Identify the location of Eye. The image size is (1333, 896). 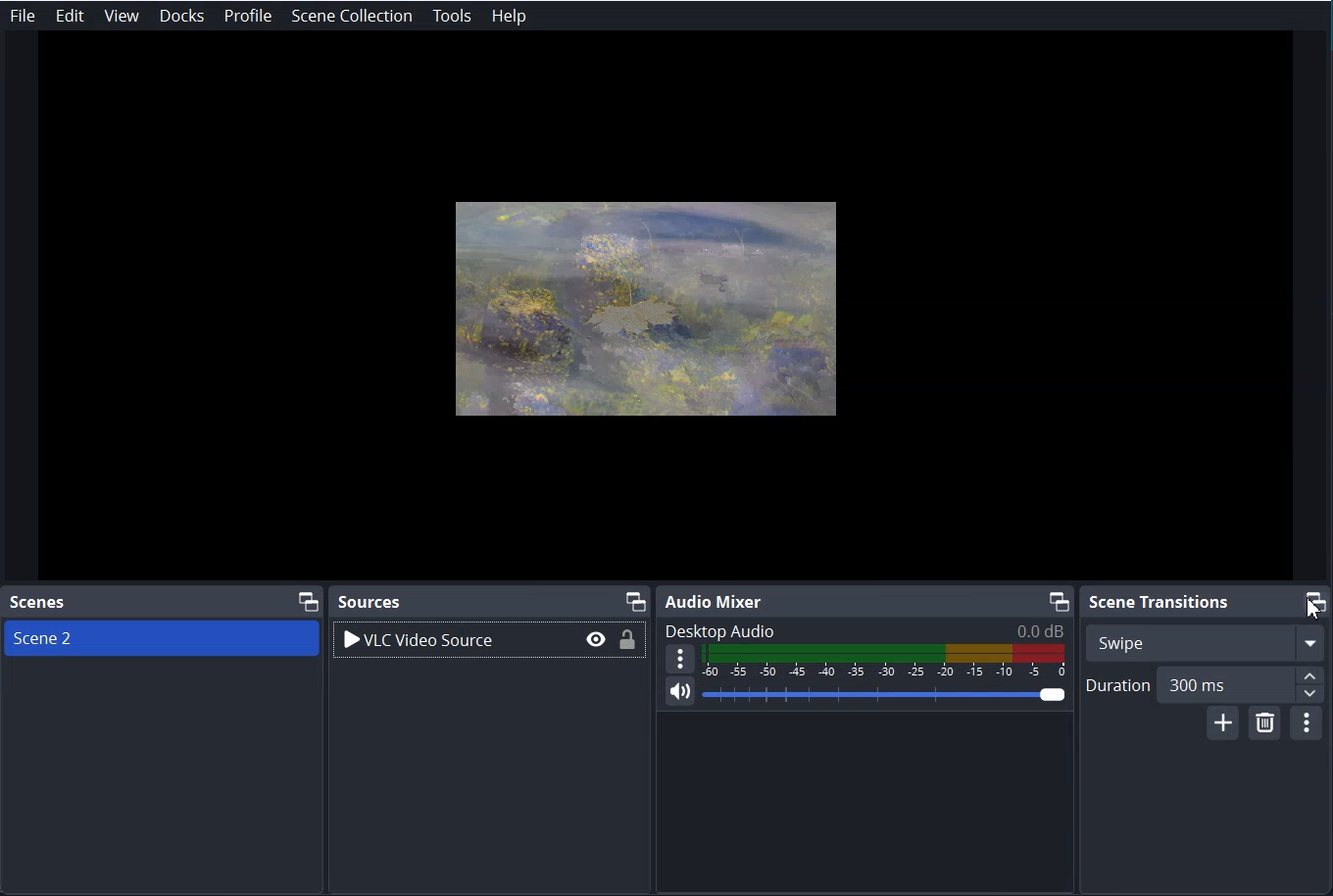
(593, 641).